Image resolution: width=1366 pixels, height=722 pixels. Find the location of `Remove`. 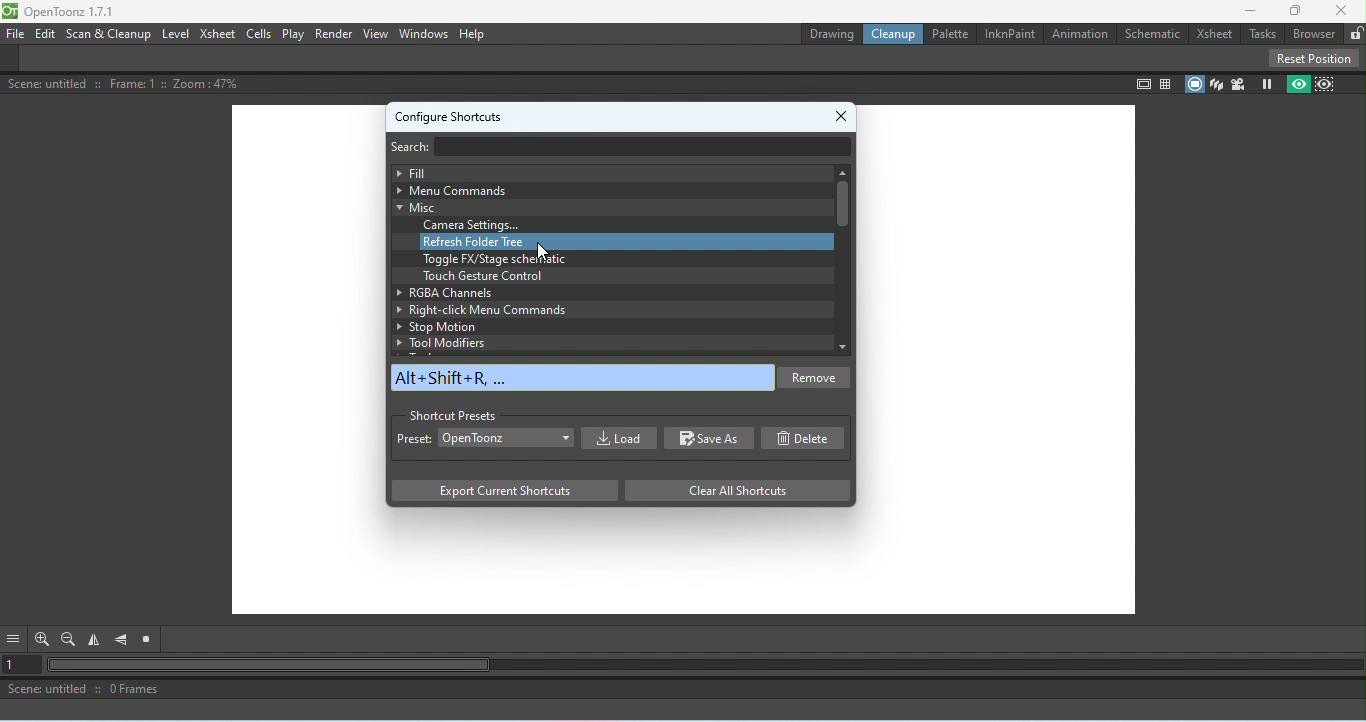

Remove is located at coordinates (817, 380).